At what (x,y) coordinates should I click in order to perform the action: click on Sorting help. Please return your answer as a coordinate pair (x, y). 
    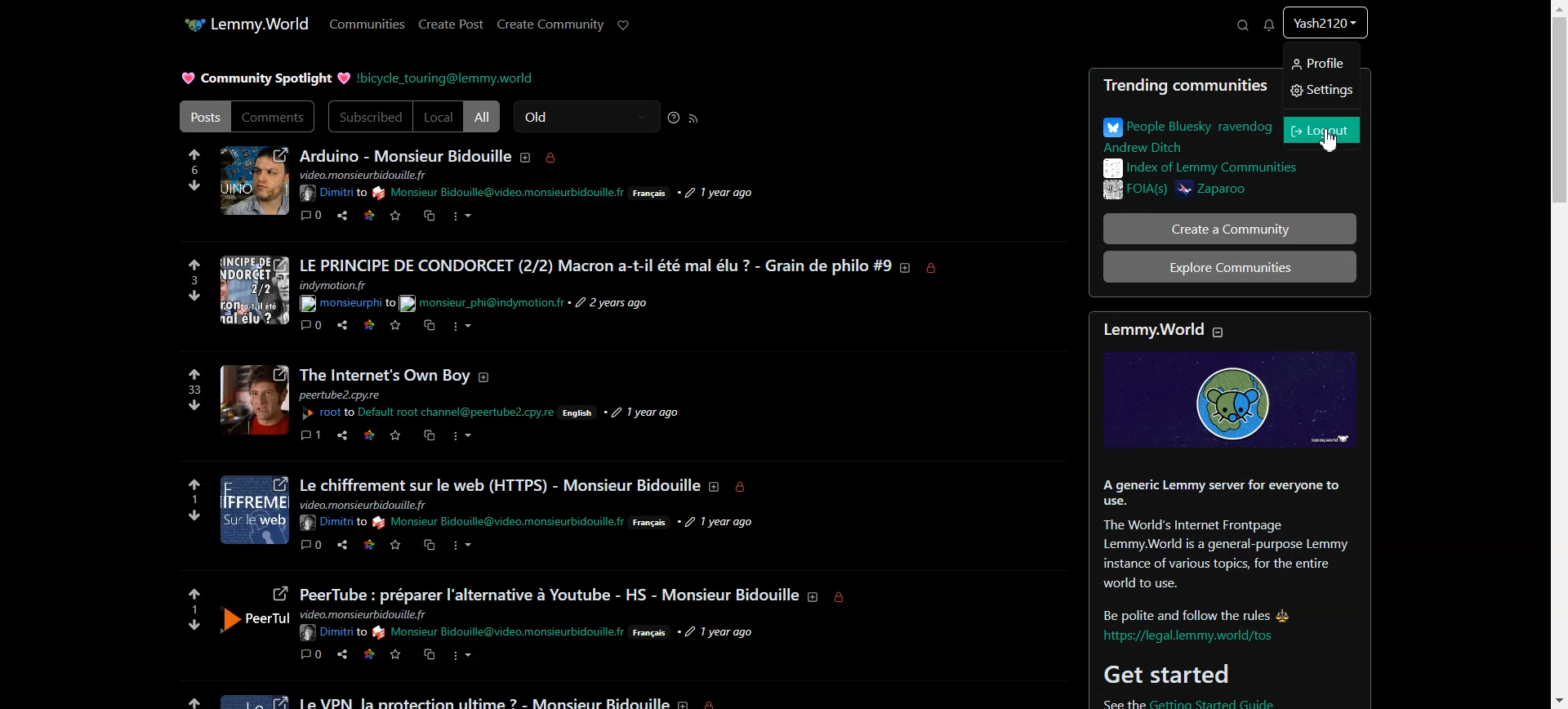
    Looking at the image, I should click on (675, 118).